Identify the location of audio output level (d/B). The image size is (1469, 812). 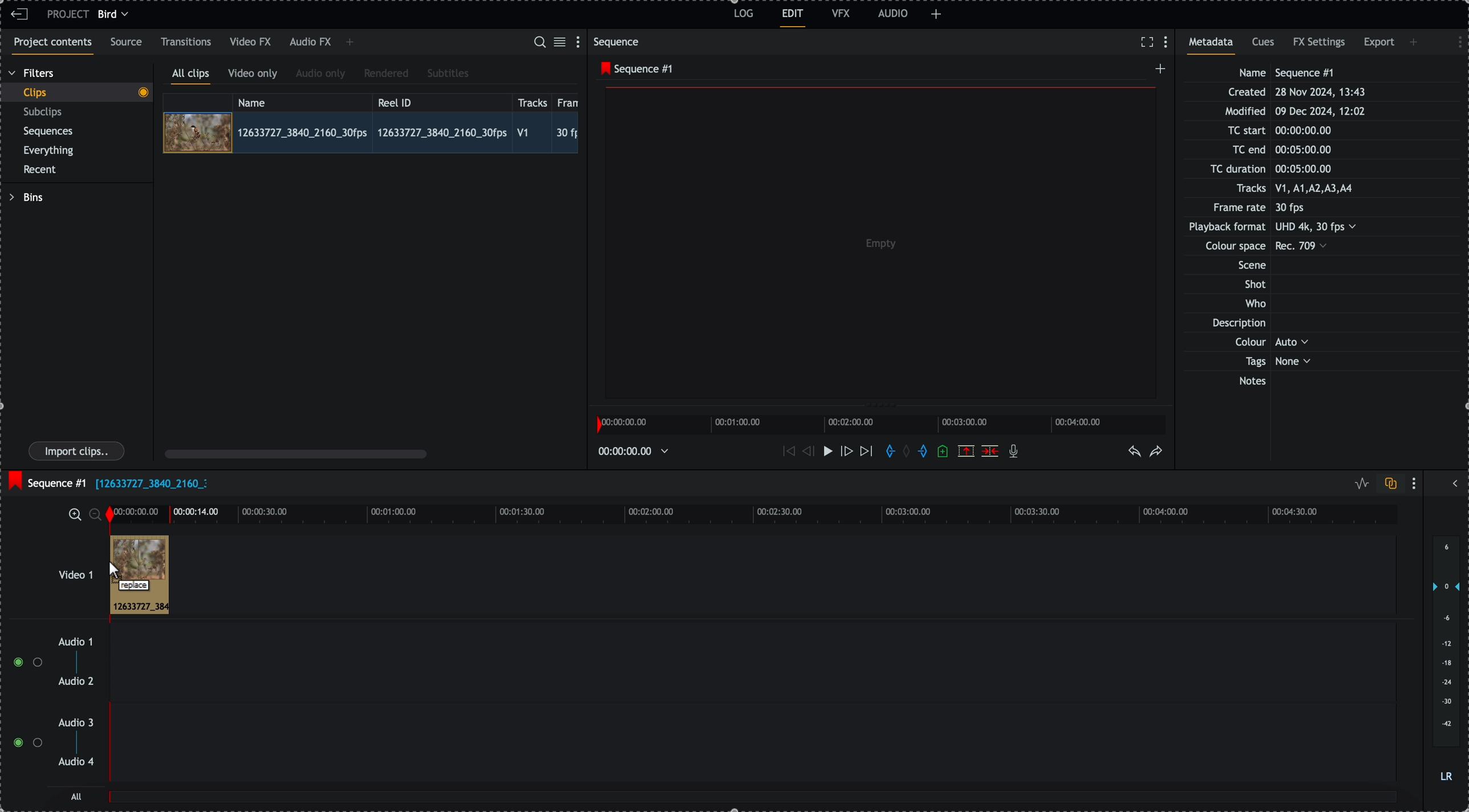
(1445, 660).